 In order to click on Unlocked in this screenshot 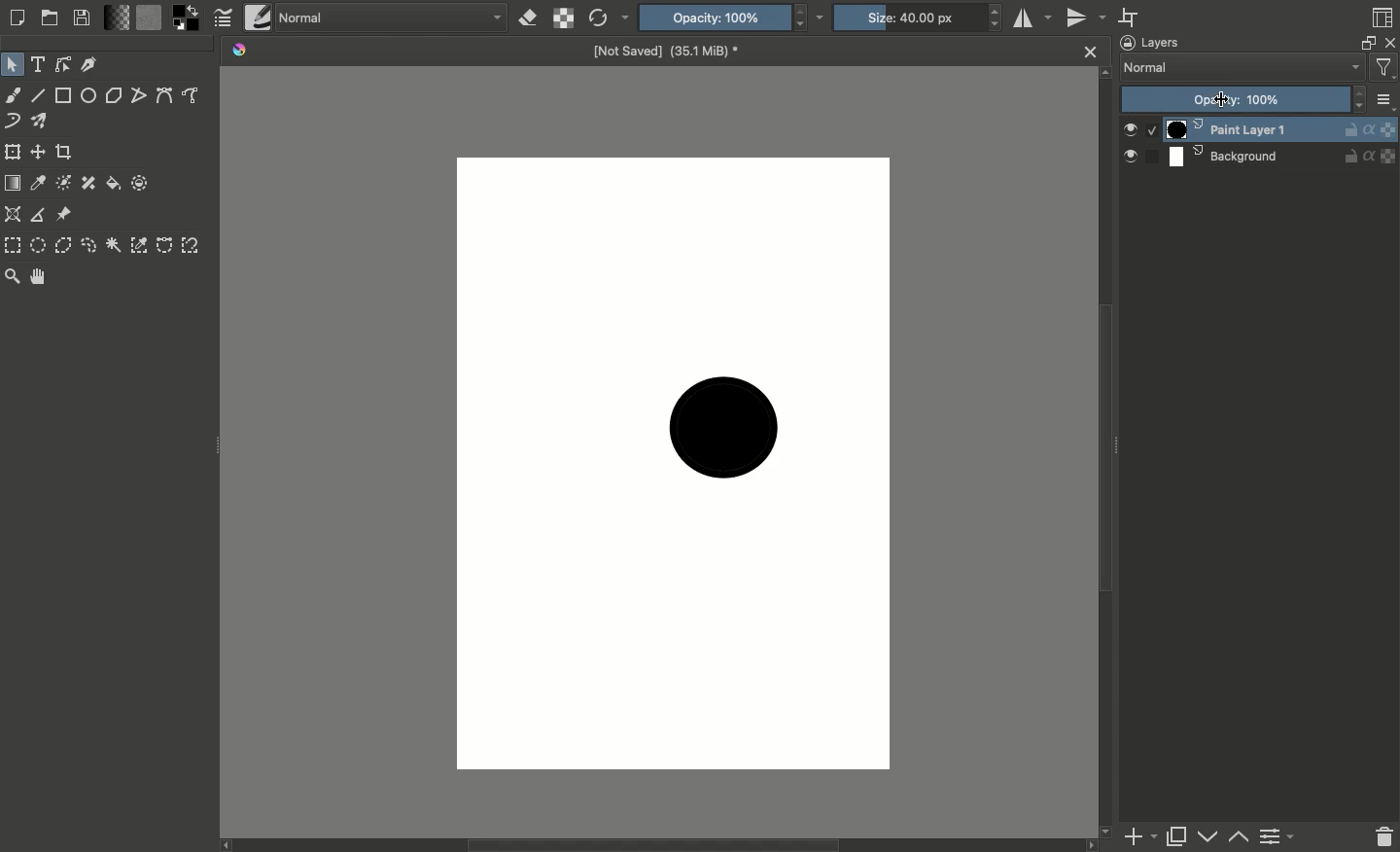, I will do `click(1349, 128)`.